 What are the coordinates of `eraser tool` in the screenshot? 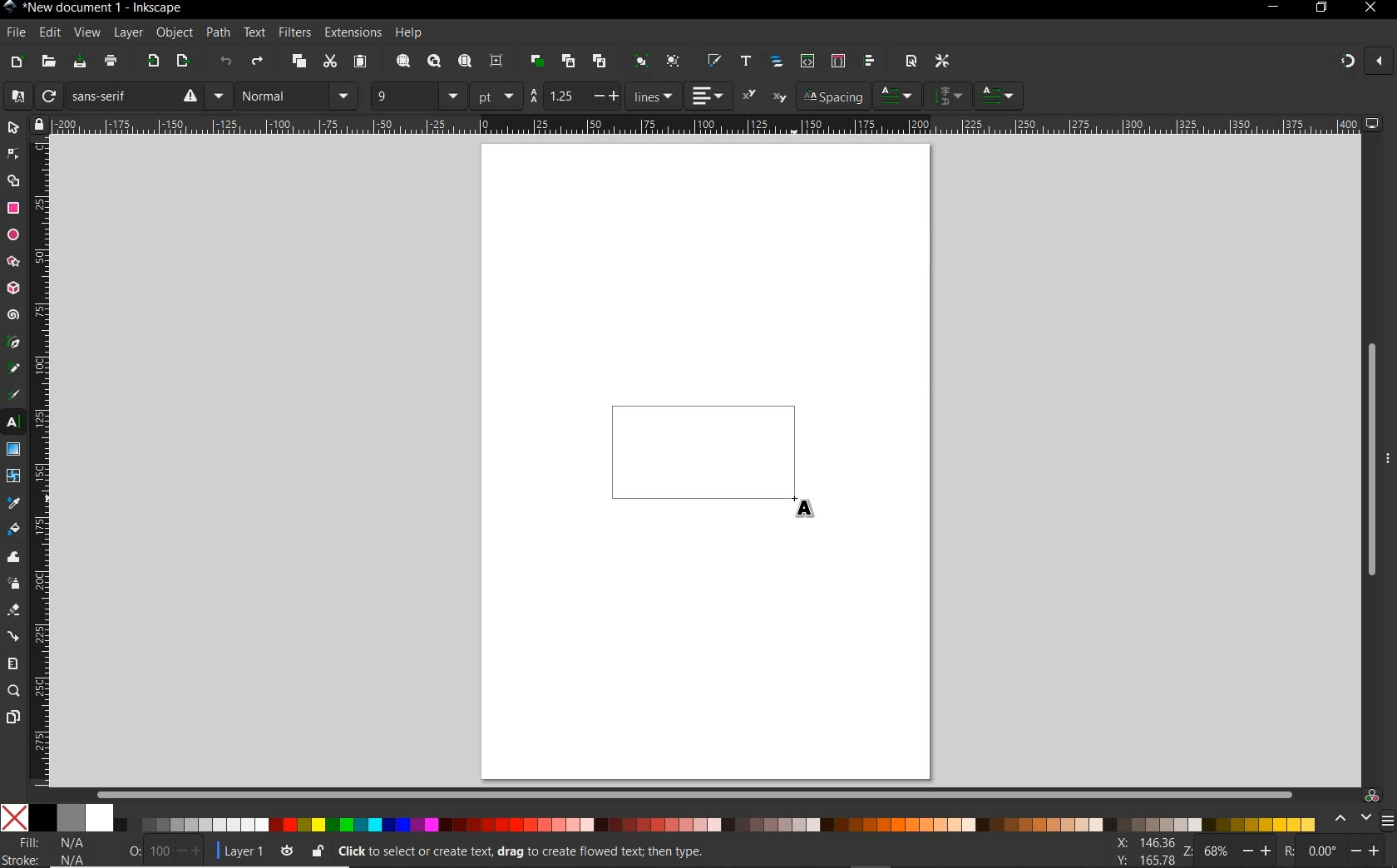 It's located at (14, 613).